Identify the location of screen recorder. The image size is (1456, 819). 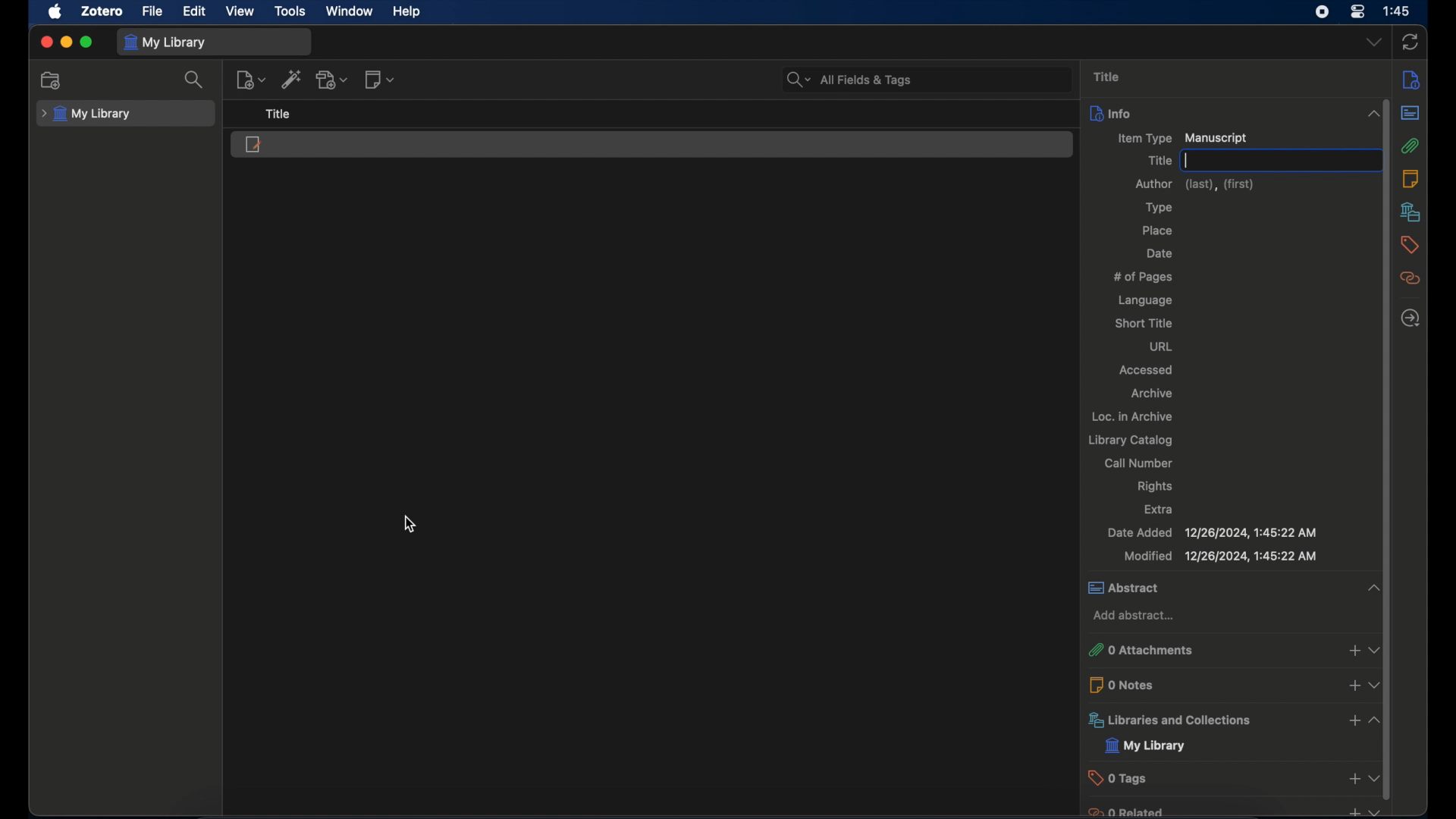
(1323, 12).